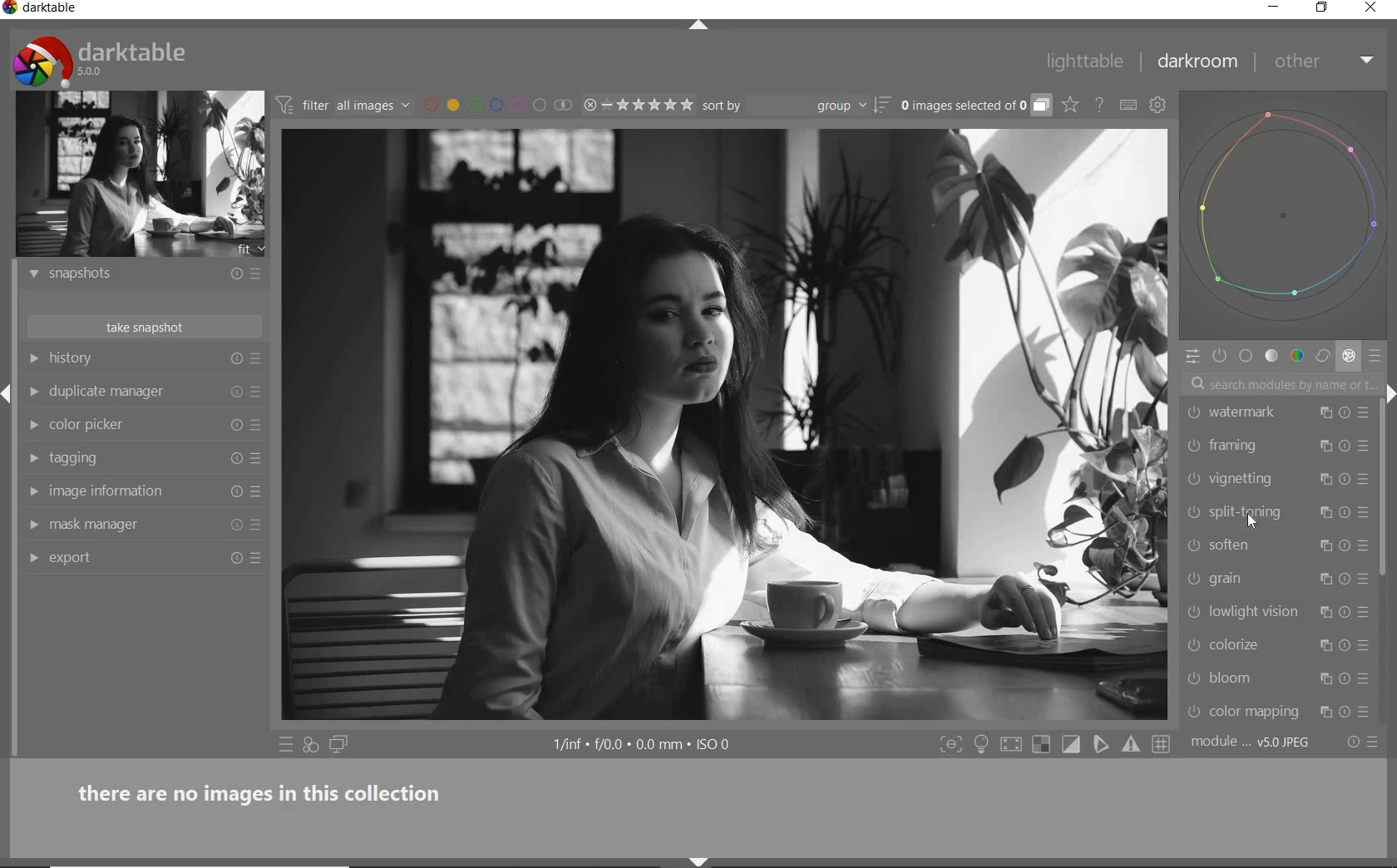 The image size is (1397, 868). I want to click on reset or preset & preferences, so click(1365, 742).